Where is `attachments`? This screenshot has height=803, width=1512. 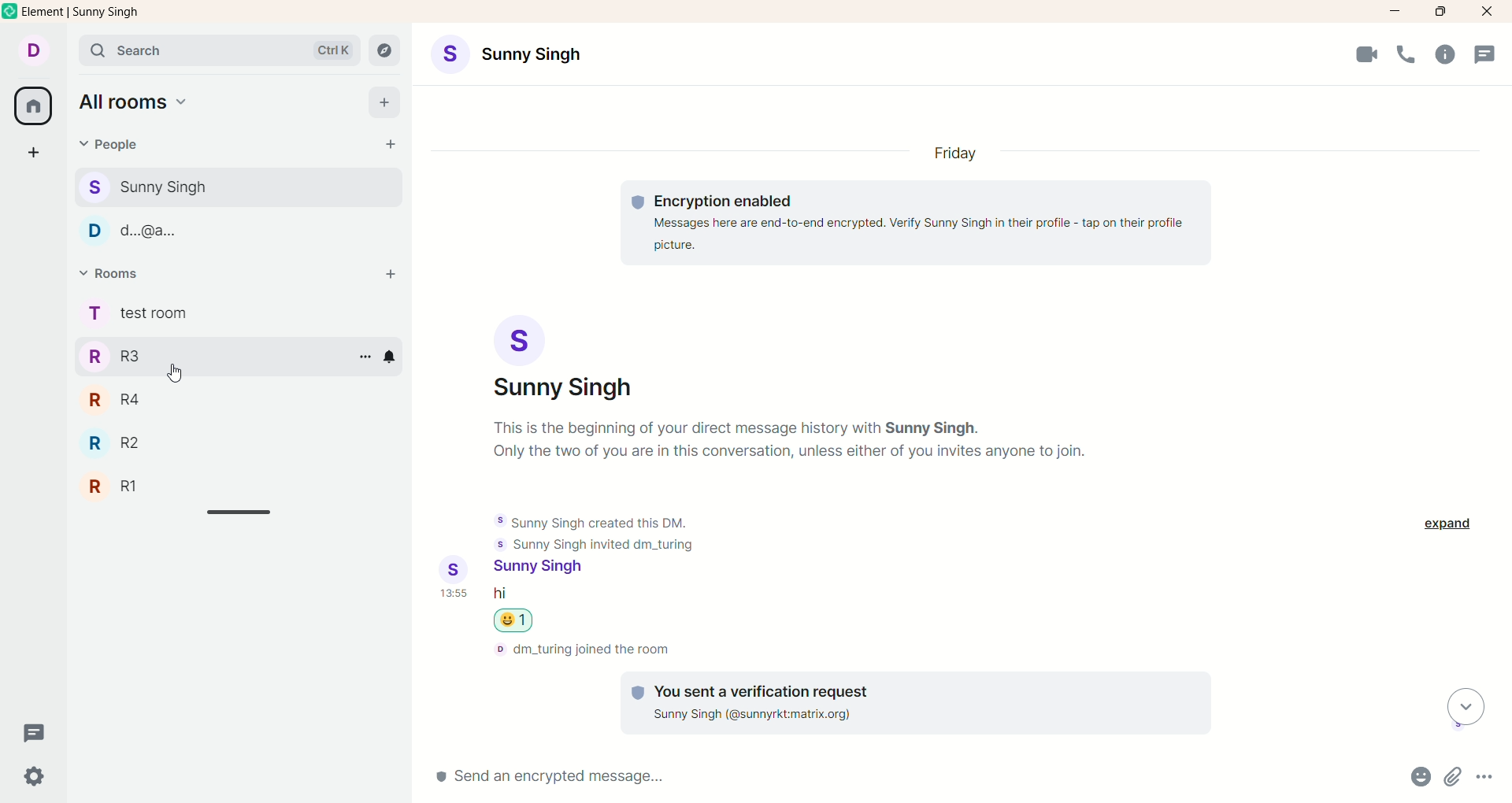 attachments is located at coordinates (1455, 778).